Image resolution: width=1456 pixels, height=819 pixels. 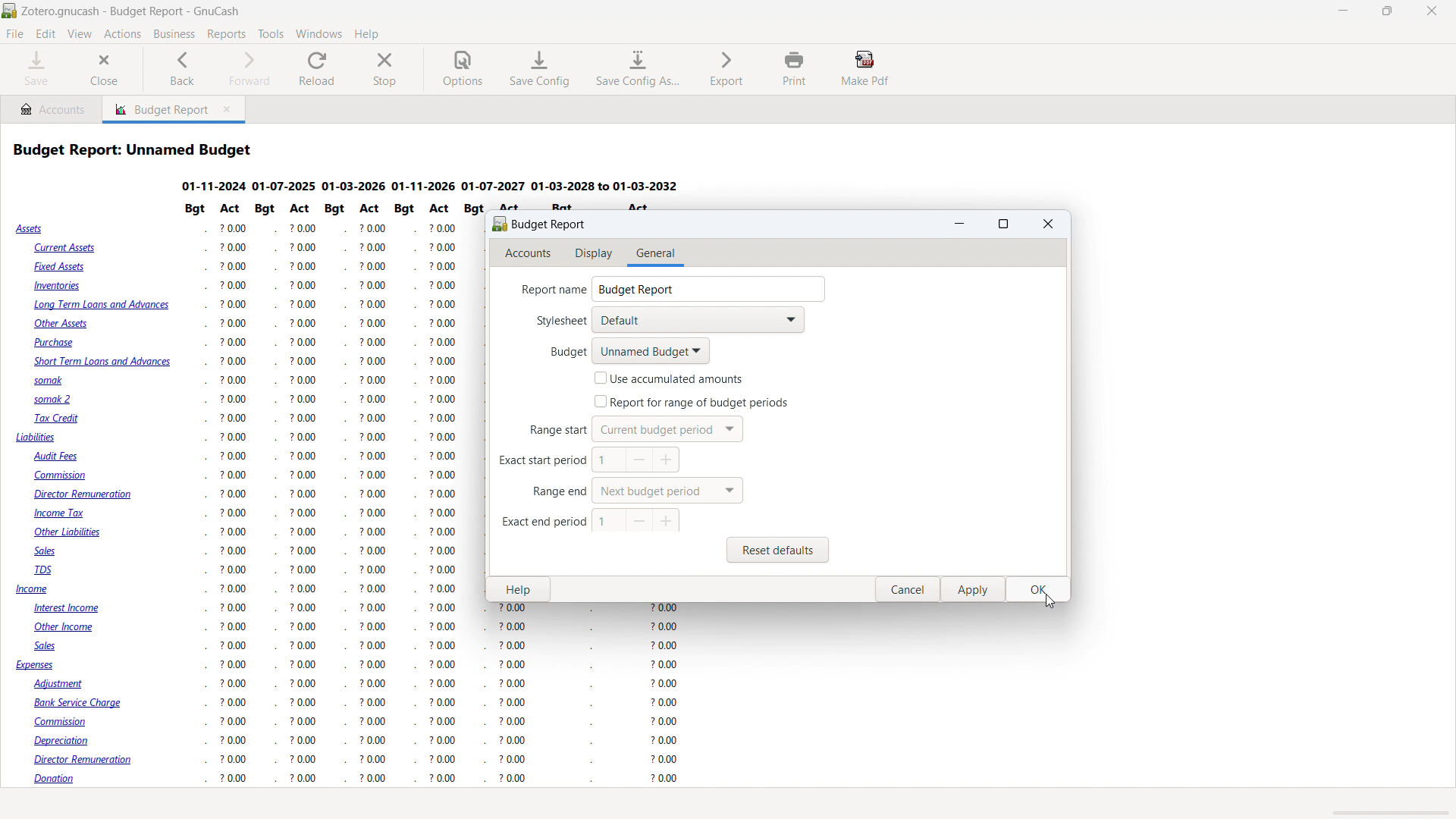 What do you see at coordinates (157, 109) in the screenshot?
I see `budget report tab` at bounding box center [157, 109].